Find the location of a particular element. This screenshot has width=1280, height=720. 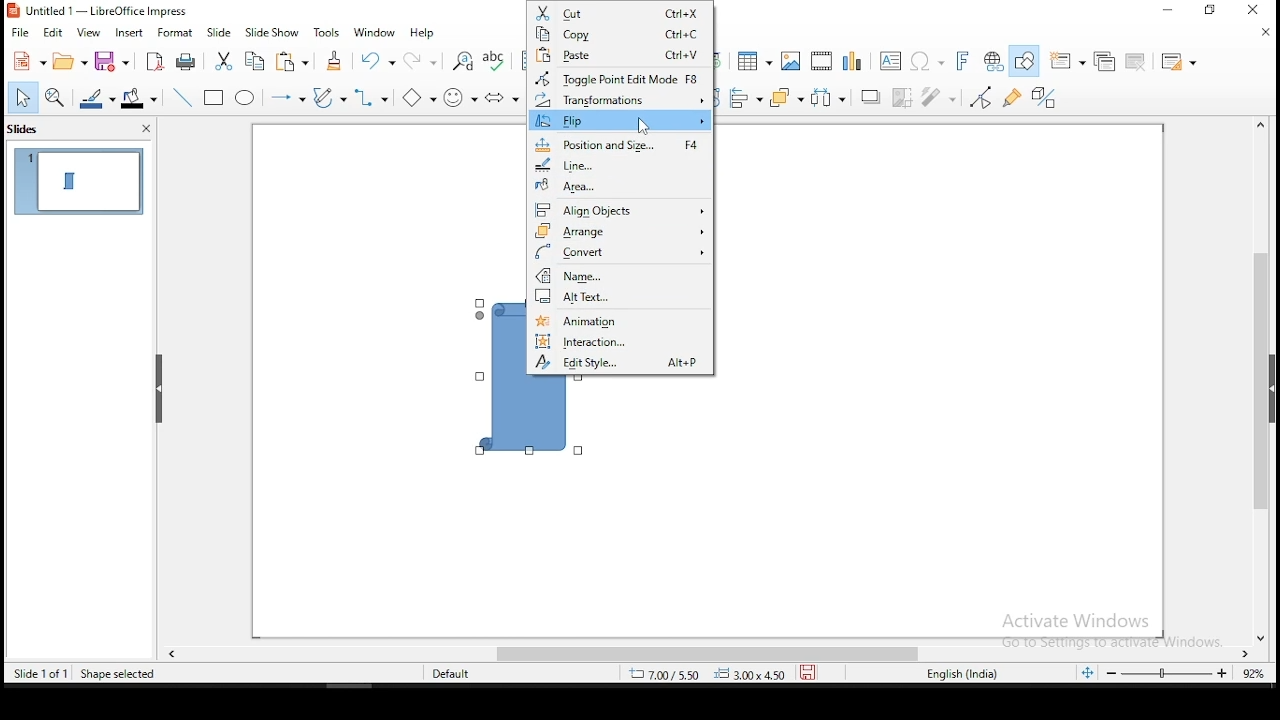

fit slide to current window is located at coordinates (1088, 673).